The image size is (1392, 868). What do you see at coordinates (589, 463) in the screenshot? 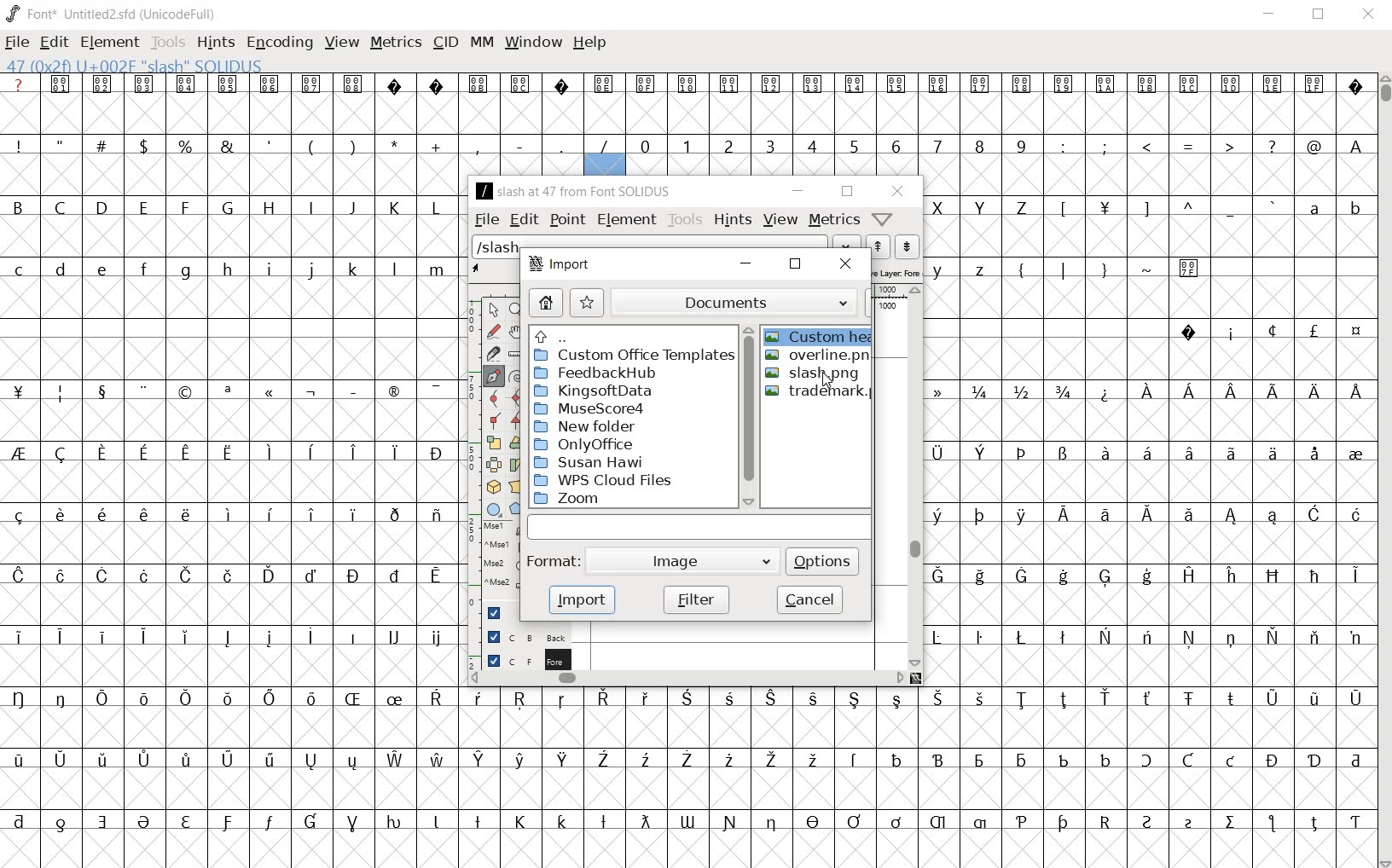
I see `Susan Hawi` at bounding box center [589, 463].